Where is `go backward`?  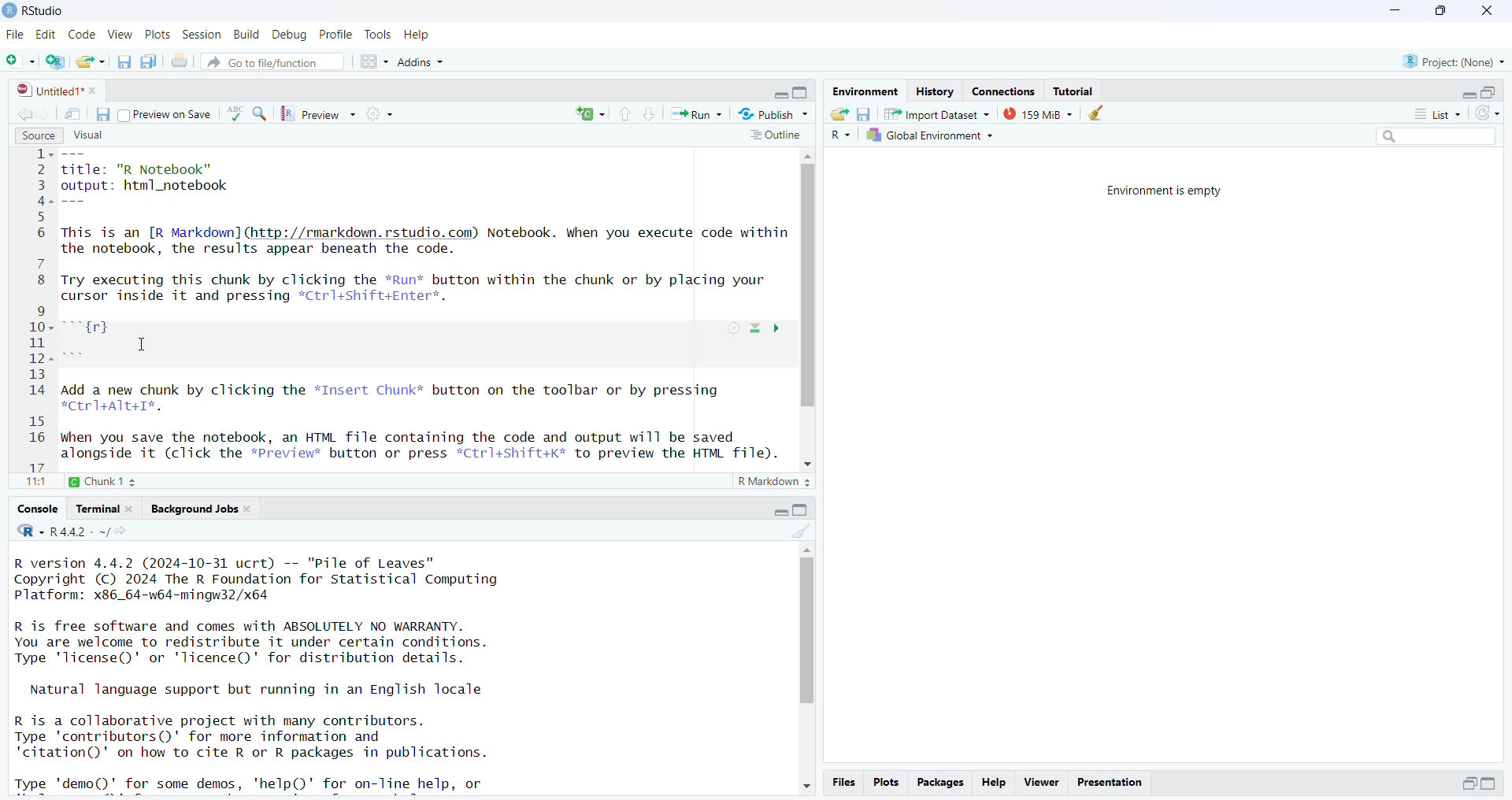
go backward is located at coordinates (22, 112).